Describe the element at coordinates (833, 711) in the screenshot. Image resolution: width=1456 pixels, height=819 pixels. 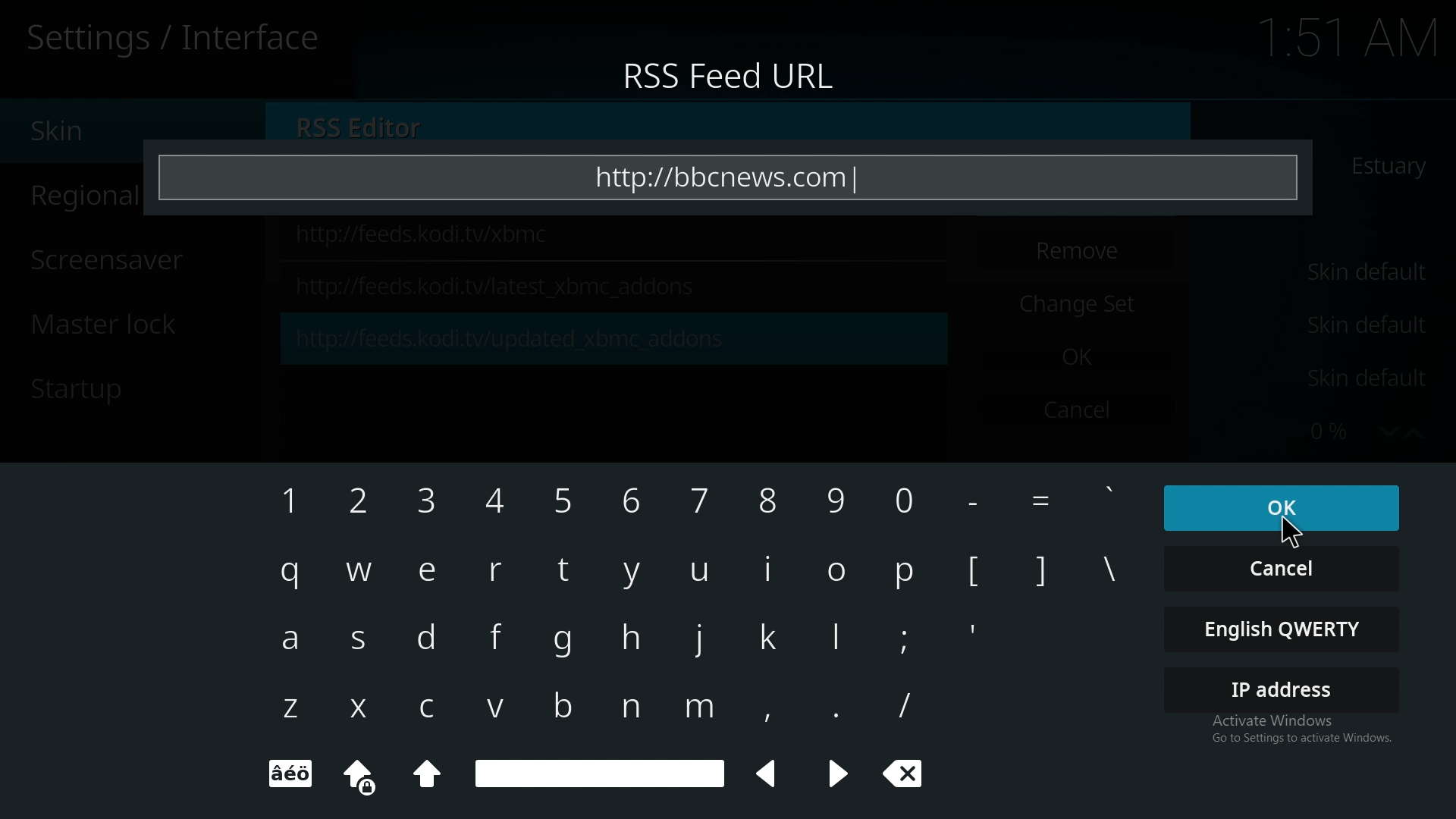
I see `keyboard Input` at that location.